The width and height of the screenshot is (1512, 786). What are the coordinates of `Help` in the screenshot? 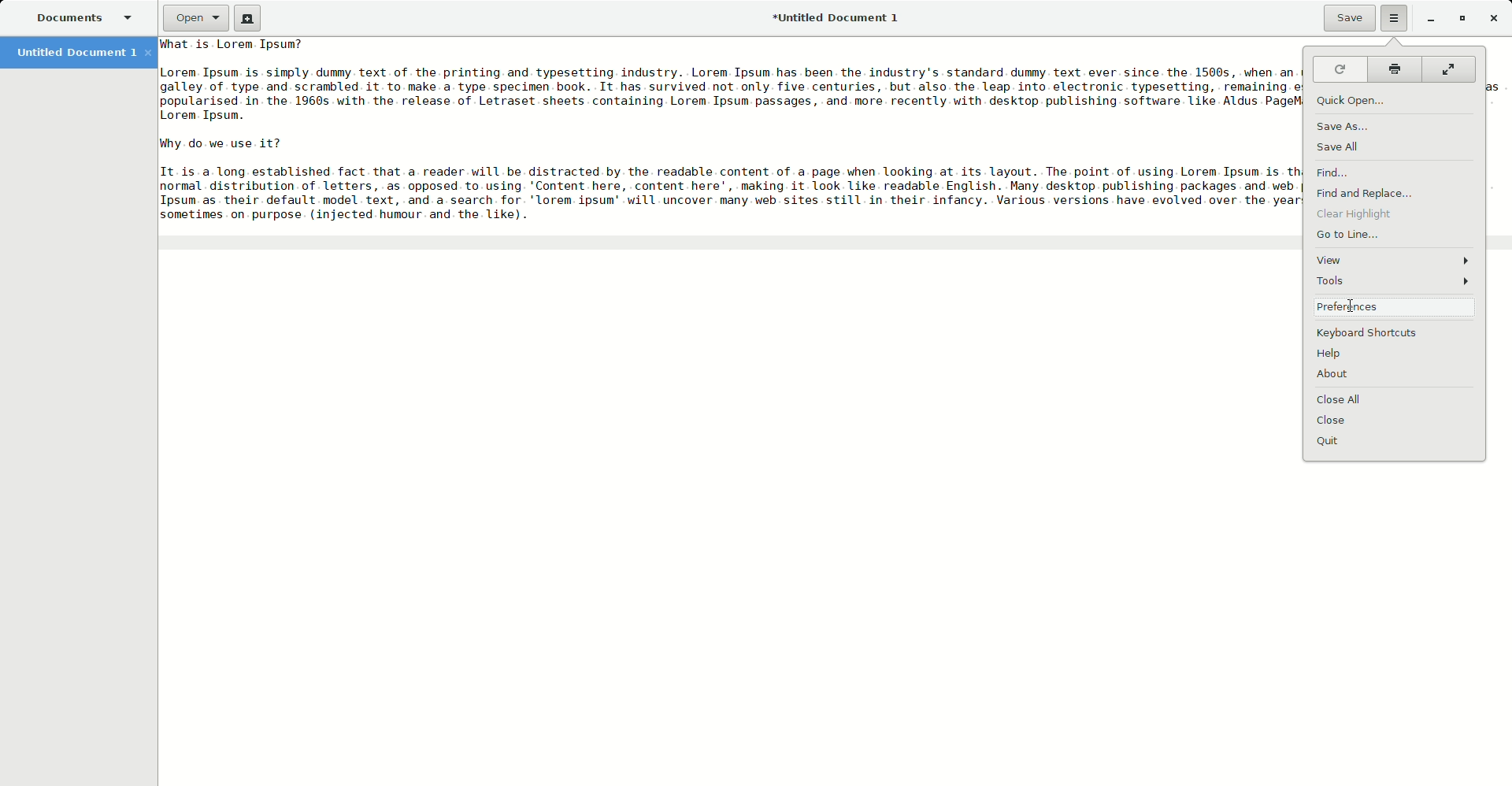 It's located at (1334, 355).